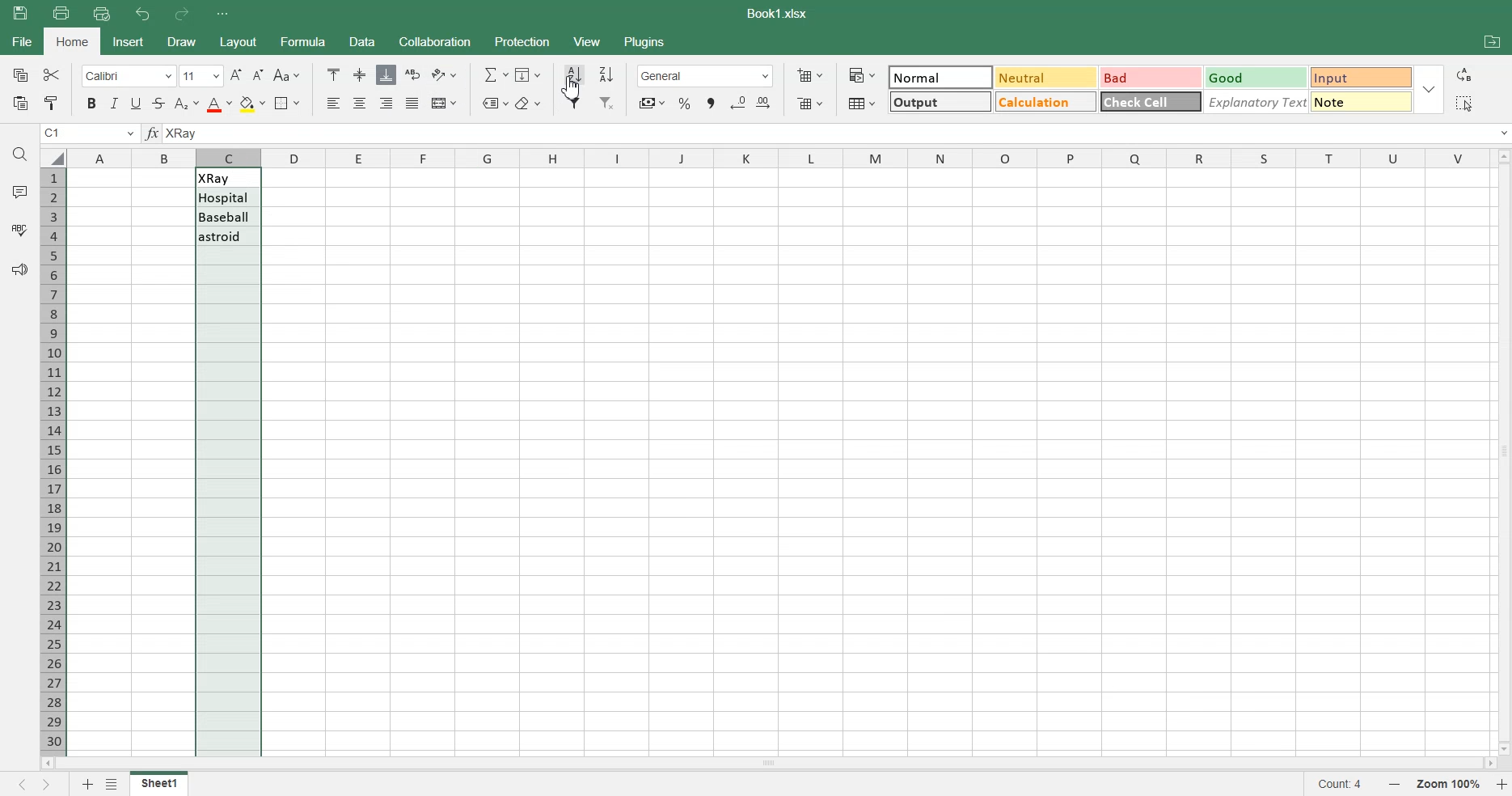  Describe the element at coordinates (335, 103) in the screenshot. I see ` Align Left` at that location.